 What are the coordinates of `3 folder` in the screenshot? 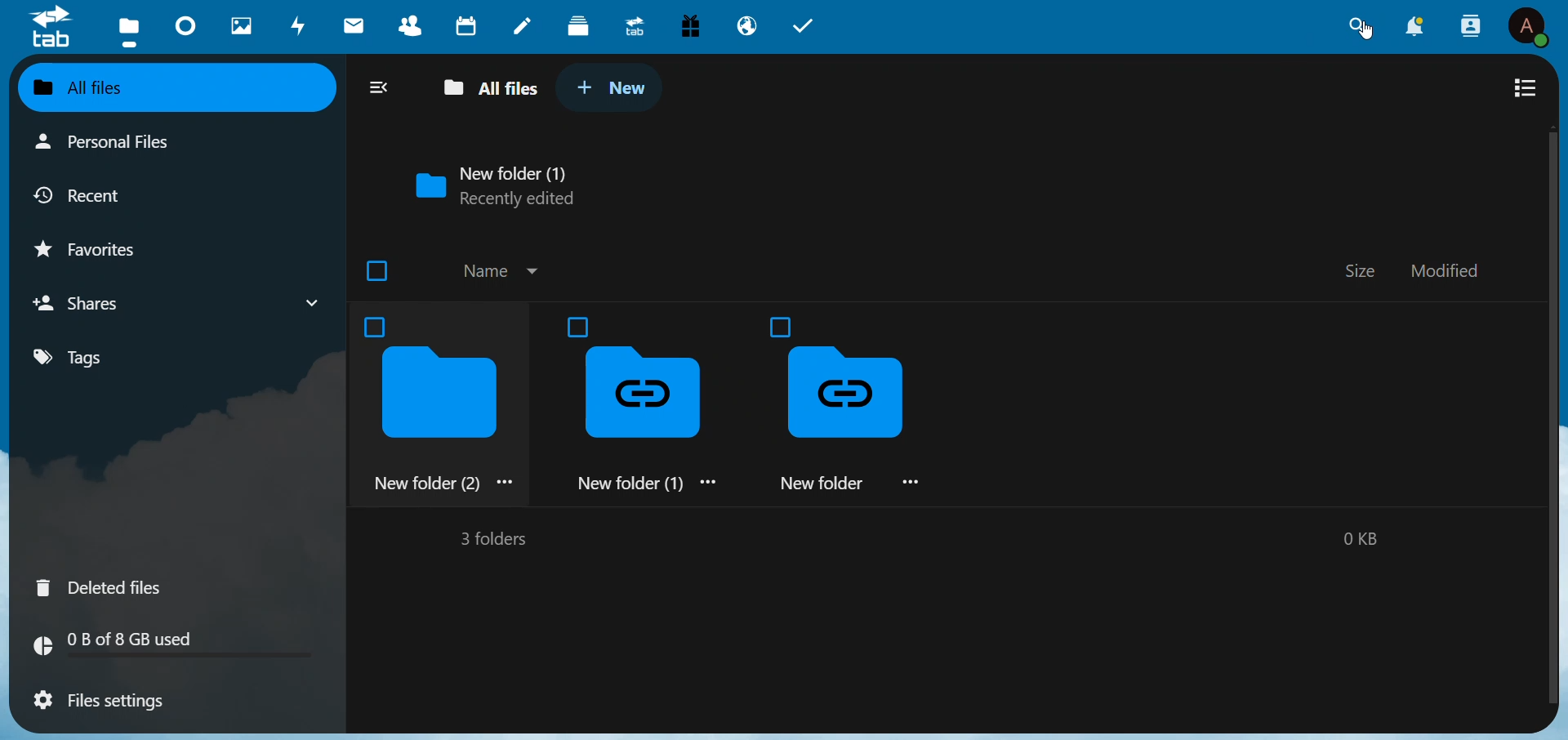 It's located at (505, 538).